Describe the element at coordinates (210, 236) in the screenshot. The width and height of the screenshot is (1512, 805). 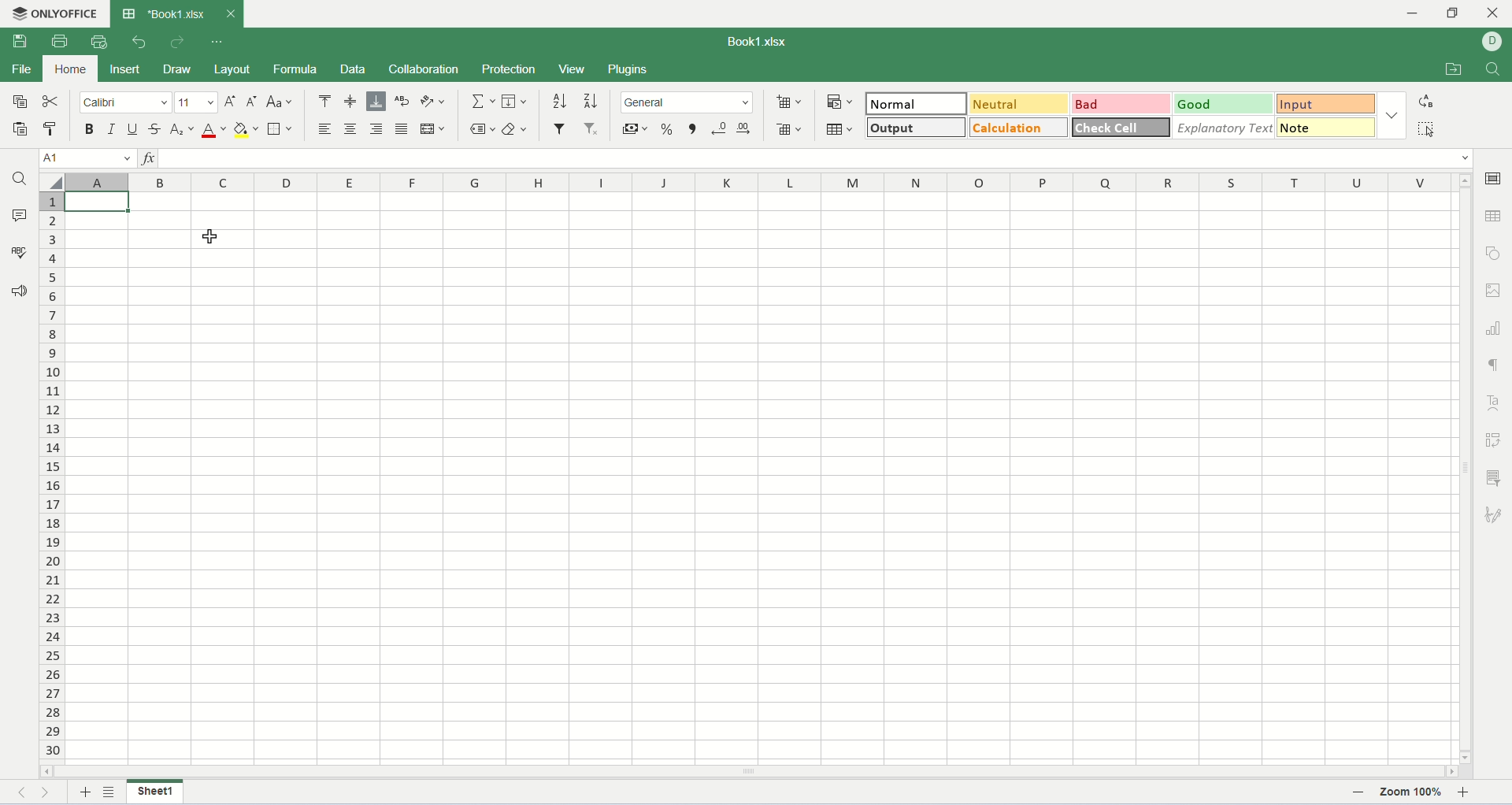
I see `cursor` at that location.